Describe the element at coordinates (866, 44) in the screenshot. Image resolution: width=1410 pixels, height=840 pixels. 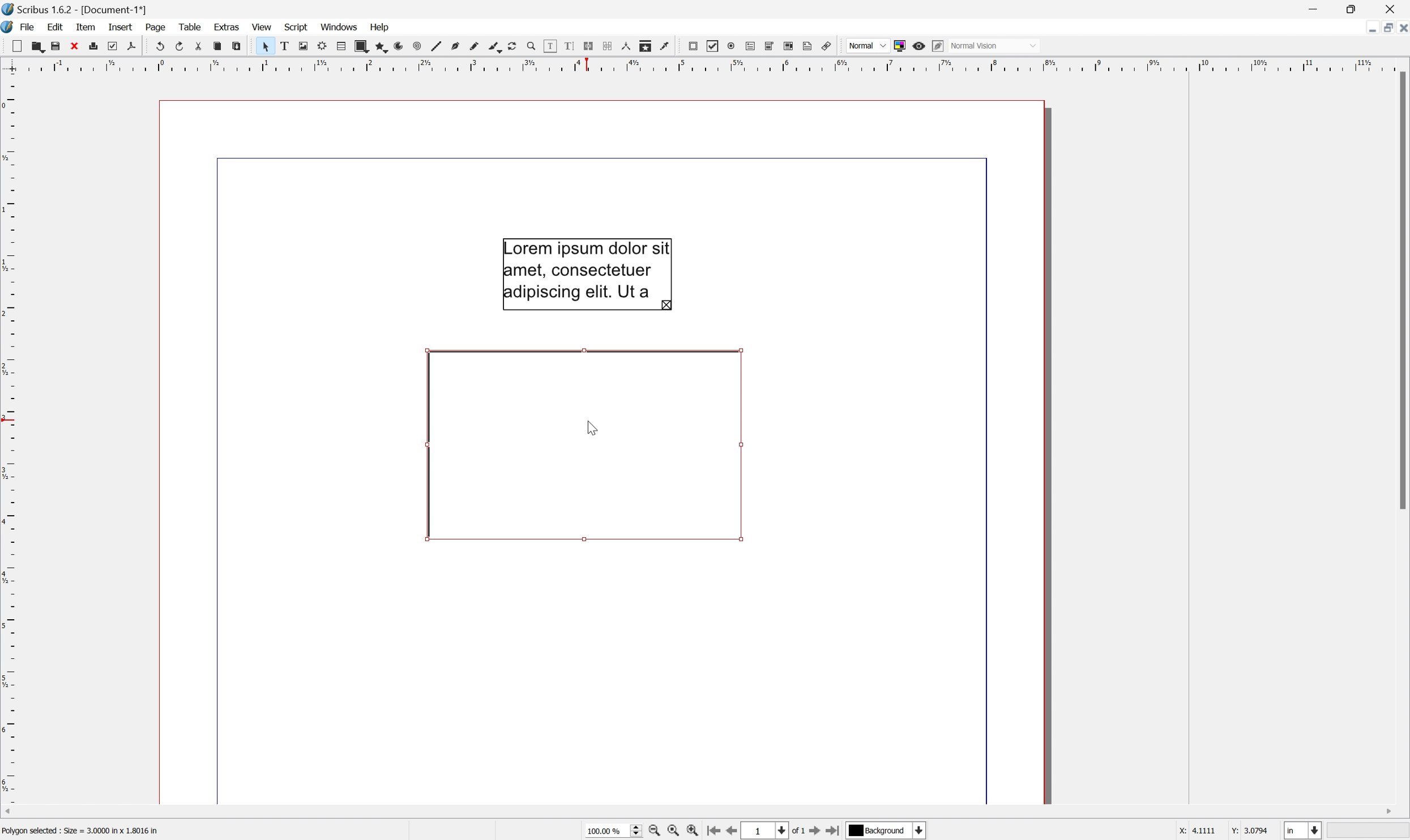
I see `Normal` at that location.